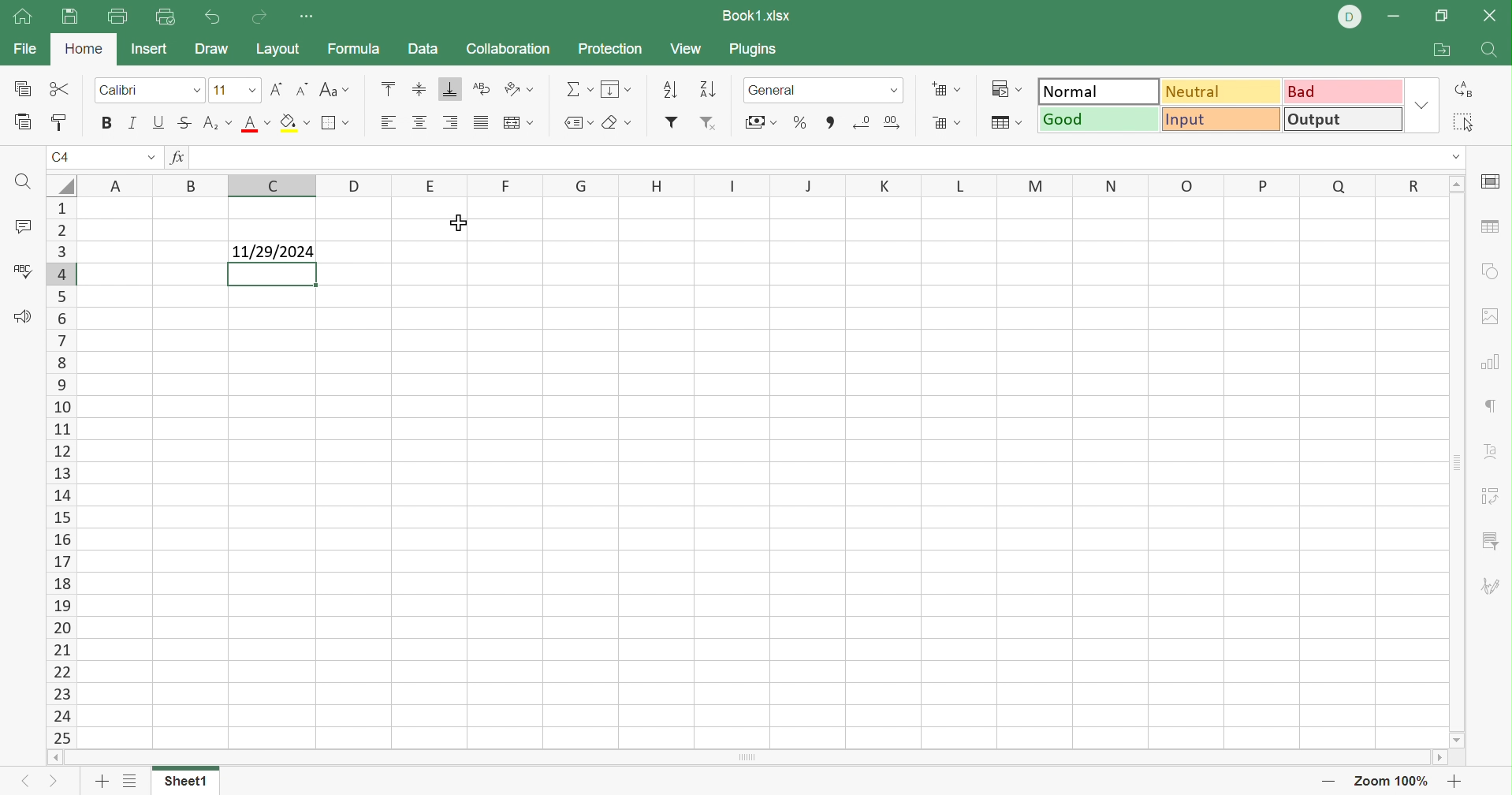 This screenshot has height=795, width=1512. I want to click on Format table as template, so click(1004, 125).